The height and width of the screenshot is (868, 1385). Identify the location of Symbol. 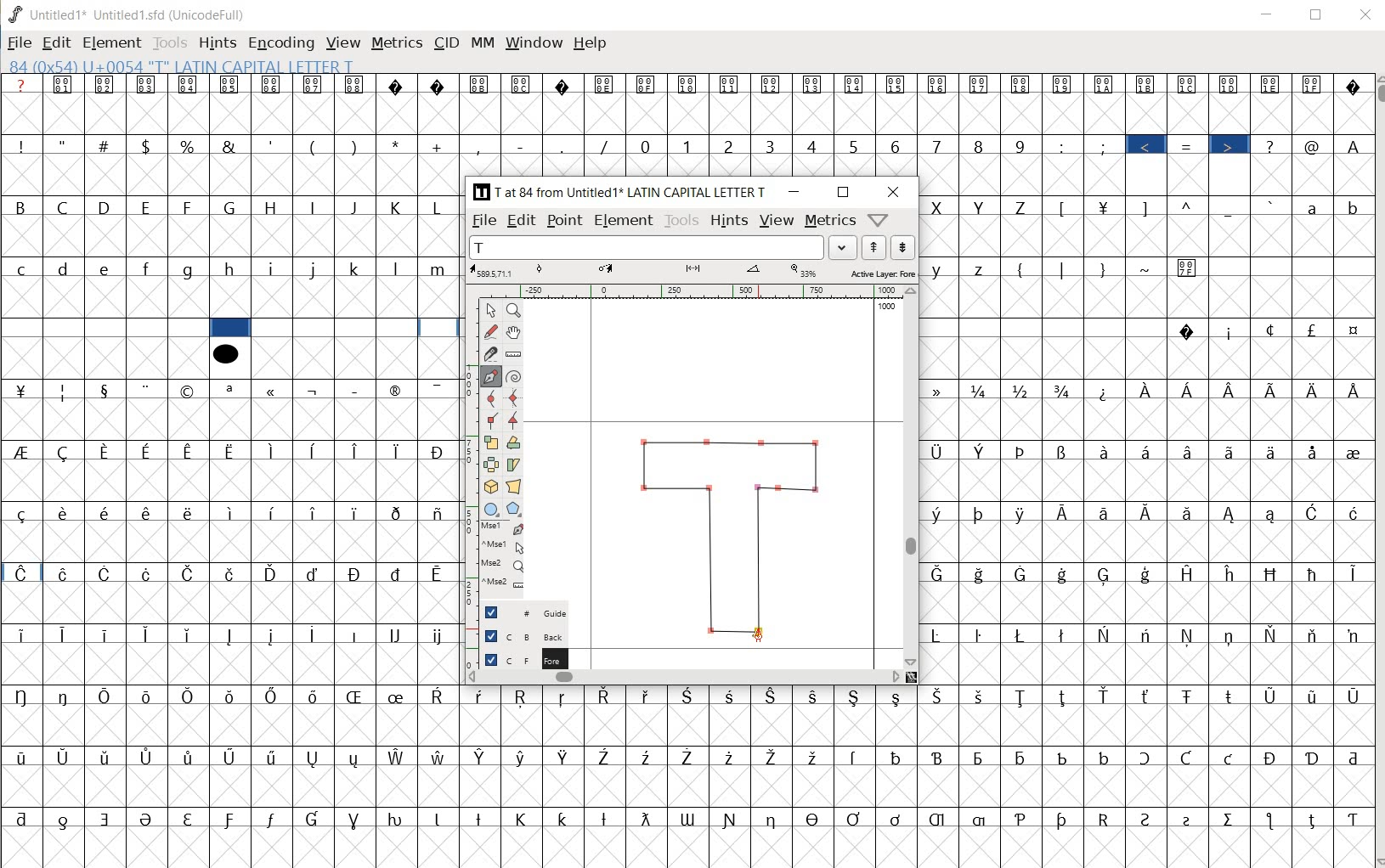
(1185, 758).